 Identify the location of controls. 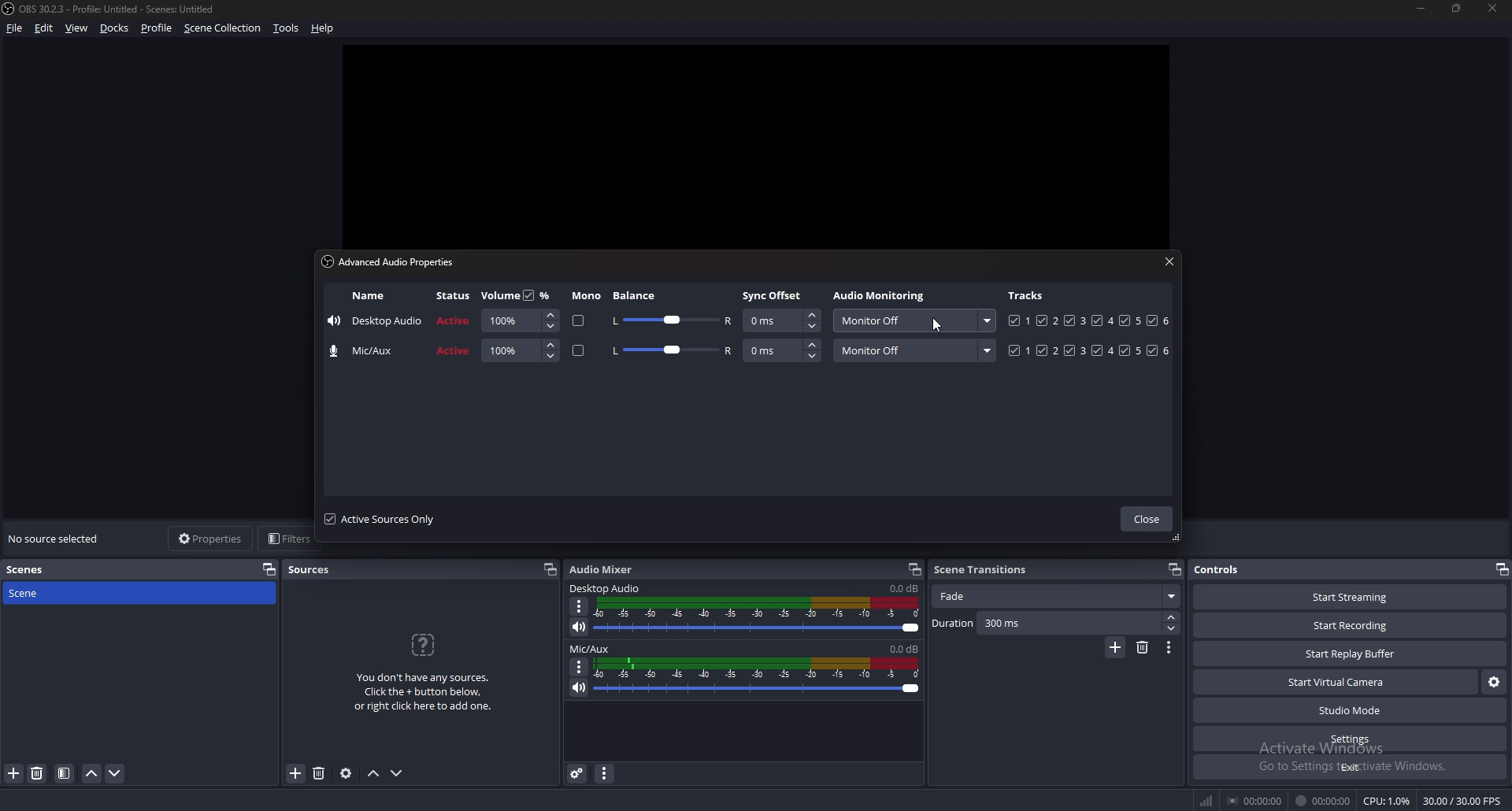
(1221, 568).